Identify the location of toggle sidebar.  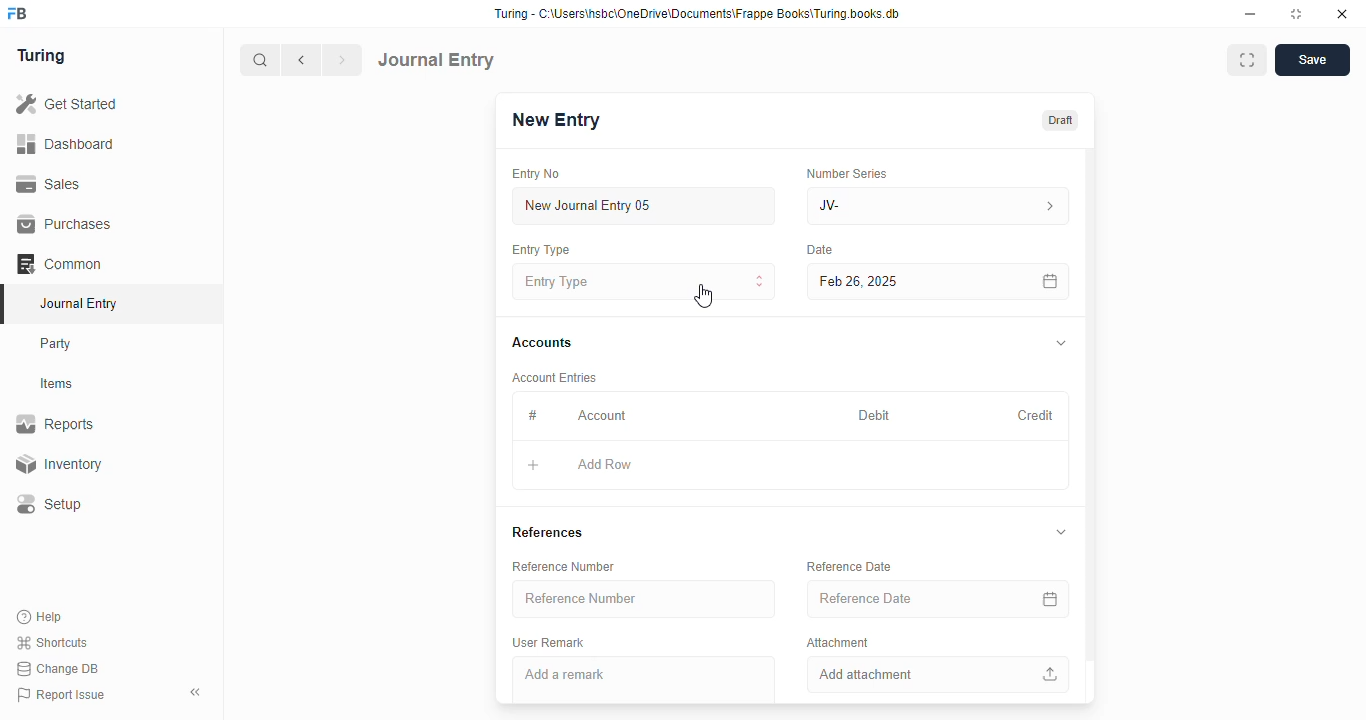
(197, 692).